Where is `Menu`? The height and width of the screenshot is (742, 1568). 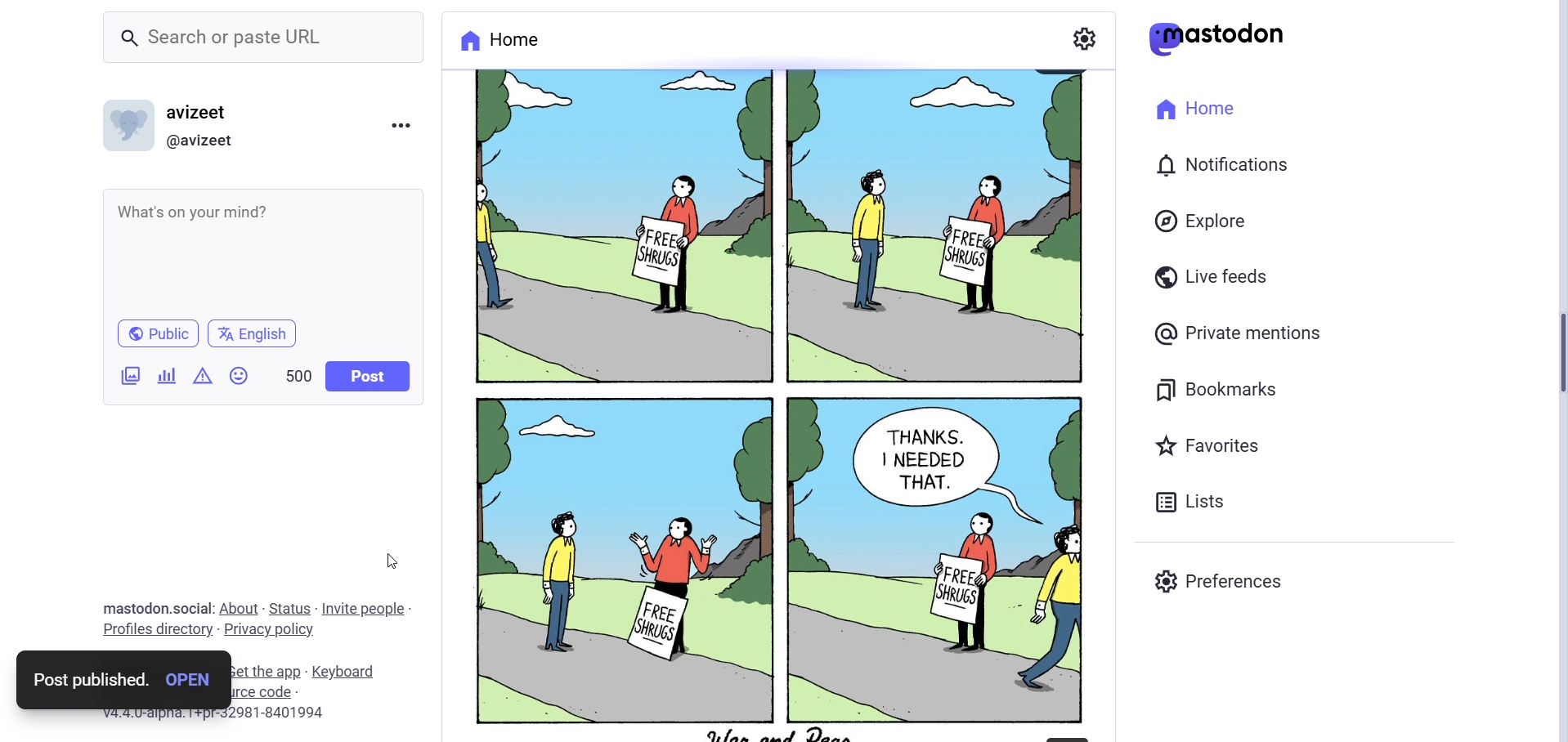 Menu is located at coordinates (401, 128).